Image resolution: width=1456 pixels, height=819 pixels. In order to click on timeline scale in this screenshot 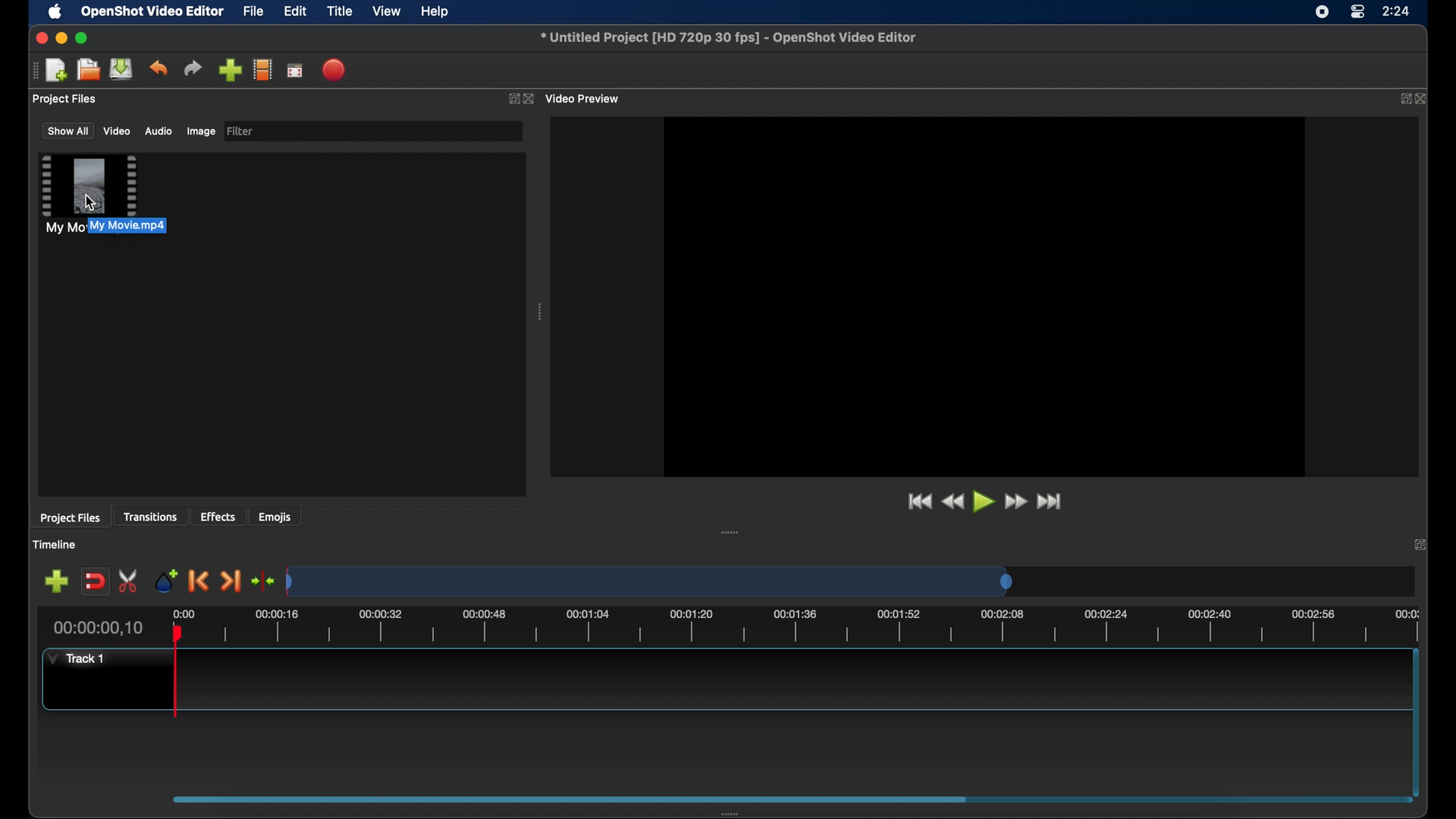, I will do `click(820, 626)`.